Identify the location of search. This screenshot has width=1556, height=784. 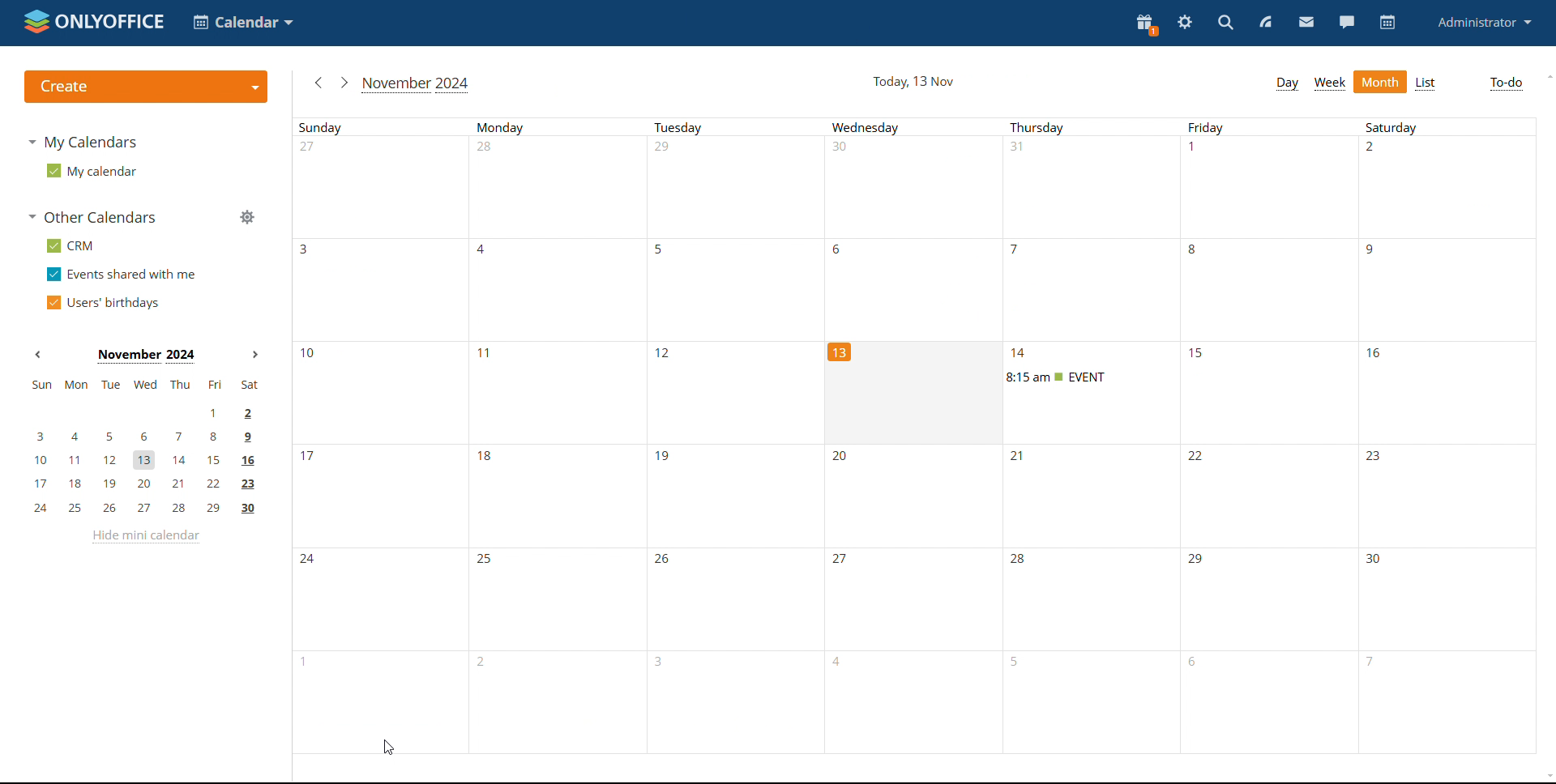
(1228, 23).